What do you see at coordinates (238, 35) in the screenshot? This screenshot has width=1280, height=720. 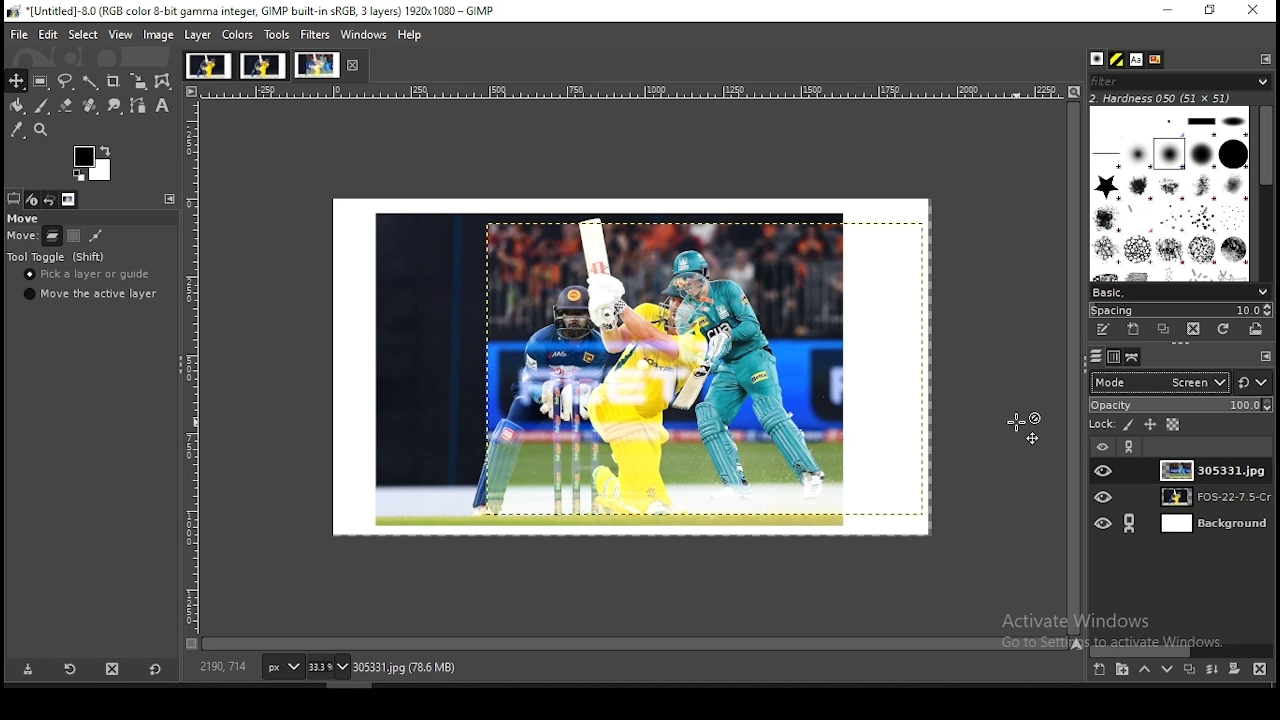 I see `colors` at bounding box center [238, 35].